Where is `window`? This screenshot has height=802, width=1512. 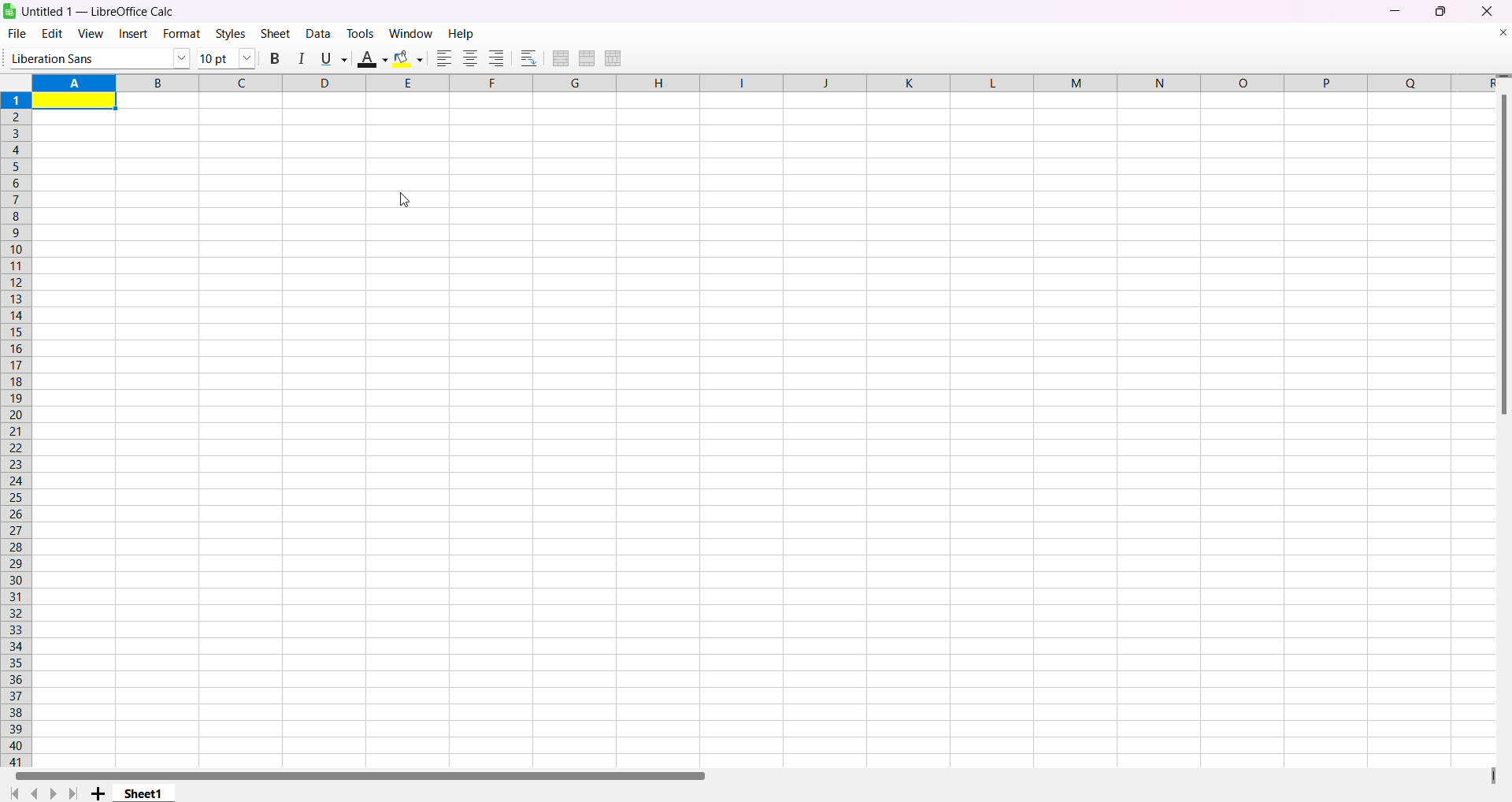 window is located at coordinates (407, 33).